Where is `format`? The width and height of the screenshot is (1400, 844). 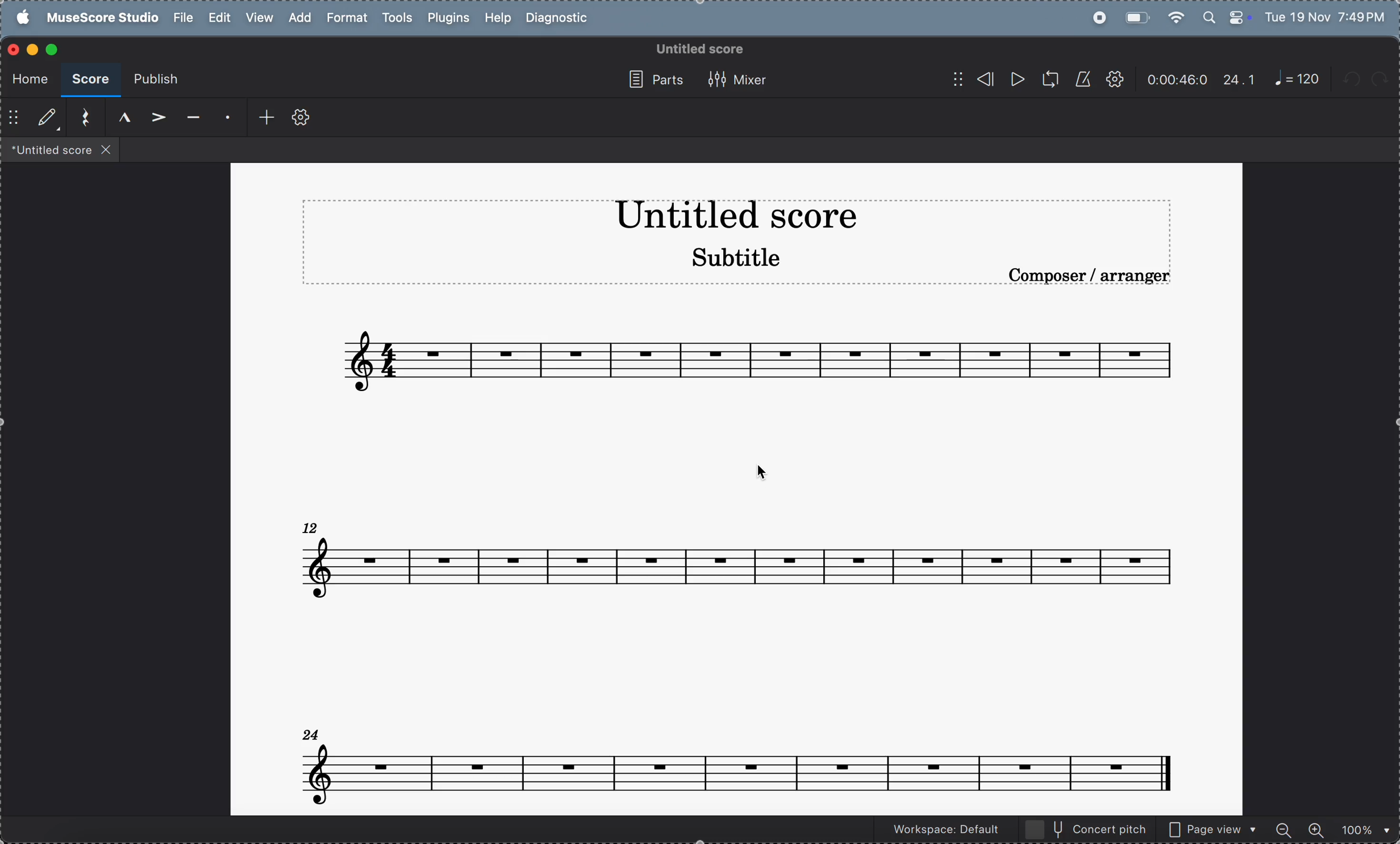 format is located at coordinates (346, 18).